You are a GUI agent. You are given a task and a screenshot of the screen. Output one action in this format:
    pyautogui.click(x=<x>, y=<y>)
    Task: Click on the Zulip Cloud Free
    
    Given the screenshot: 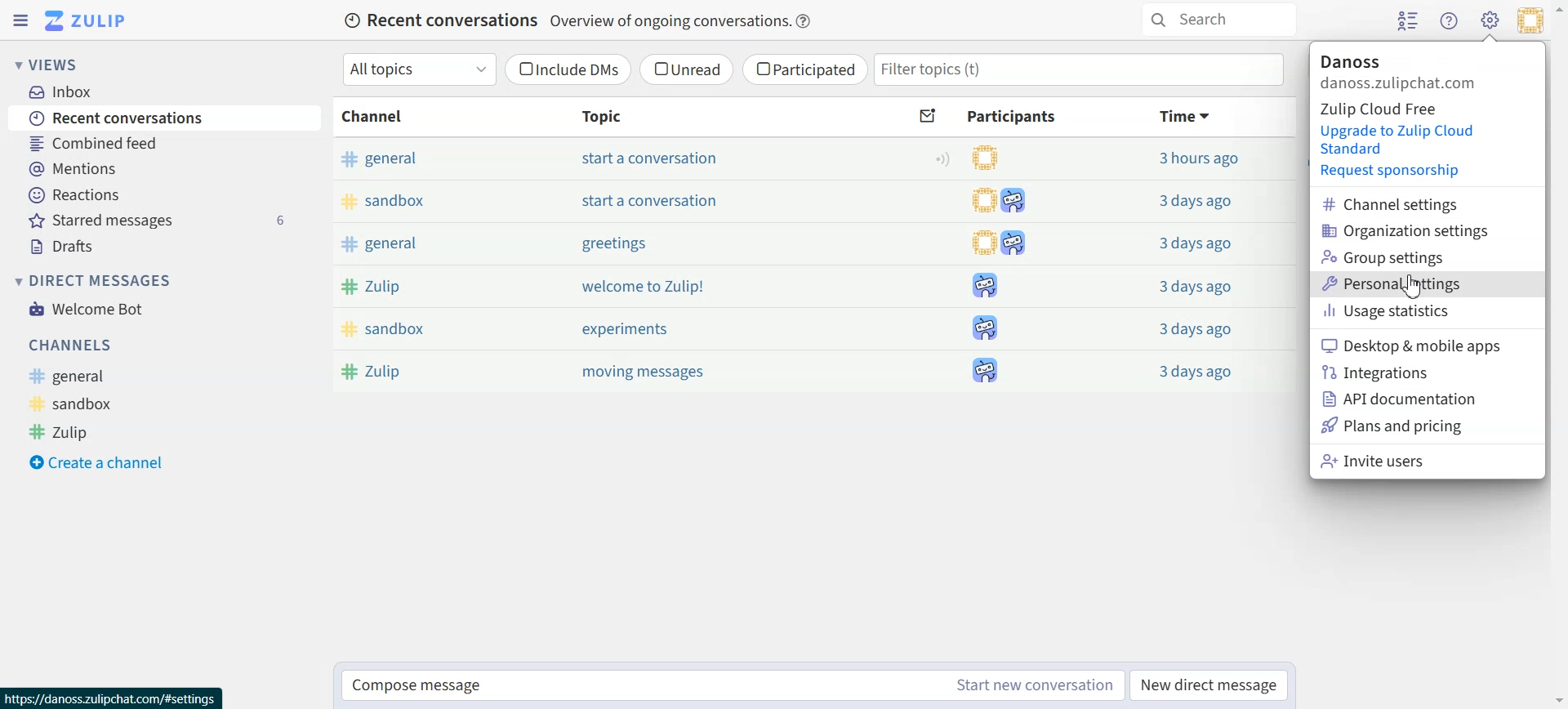 What is the action you would take?
    pyautogui.click(x=1385, y=110)
    